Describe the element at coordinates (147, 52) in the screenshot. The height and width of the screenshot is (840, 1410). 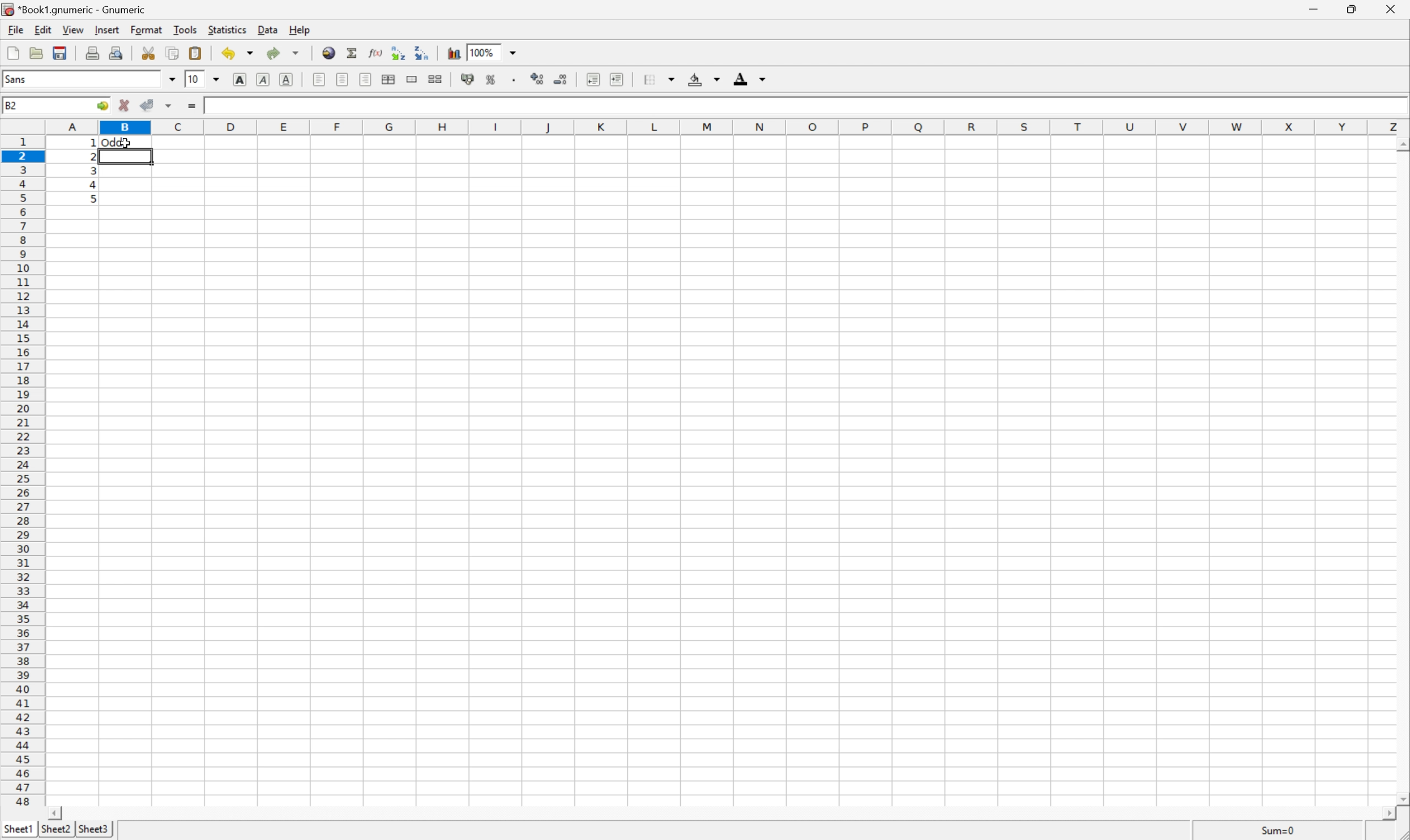
I see `Cut selection` at that location.